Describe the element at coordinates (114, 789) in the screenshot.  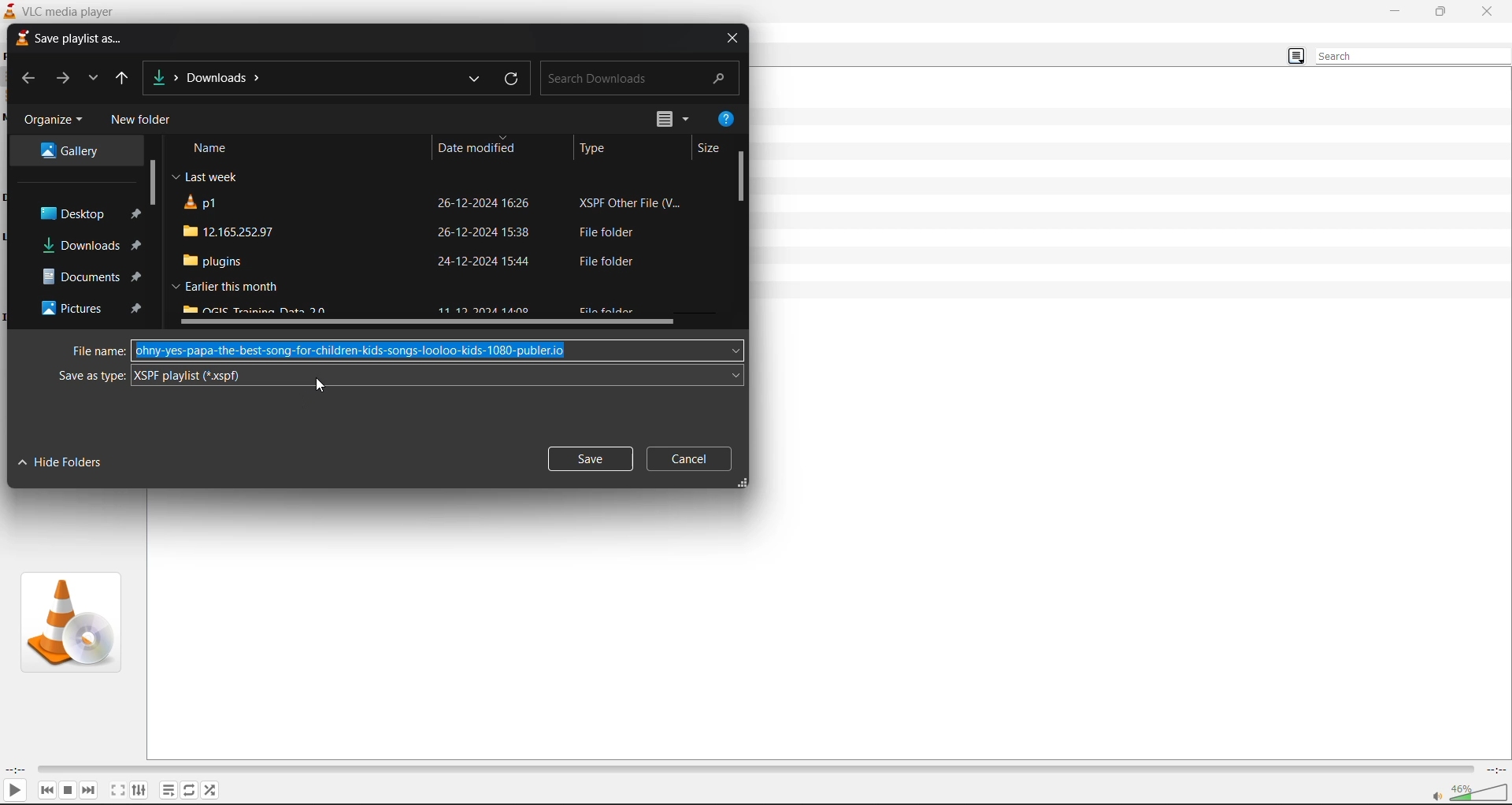
I see `fullscreen` at that location.